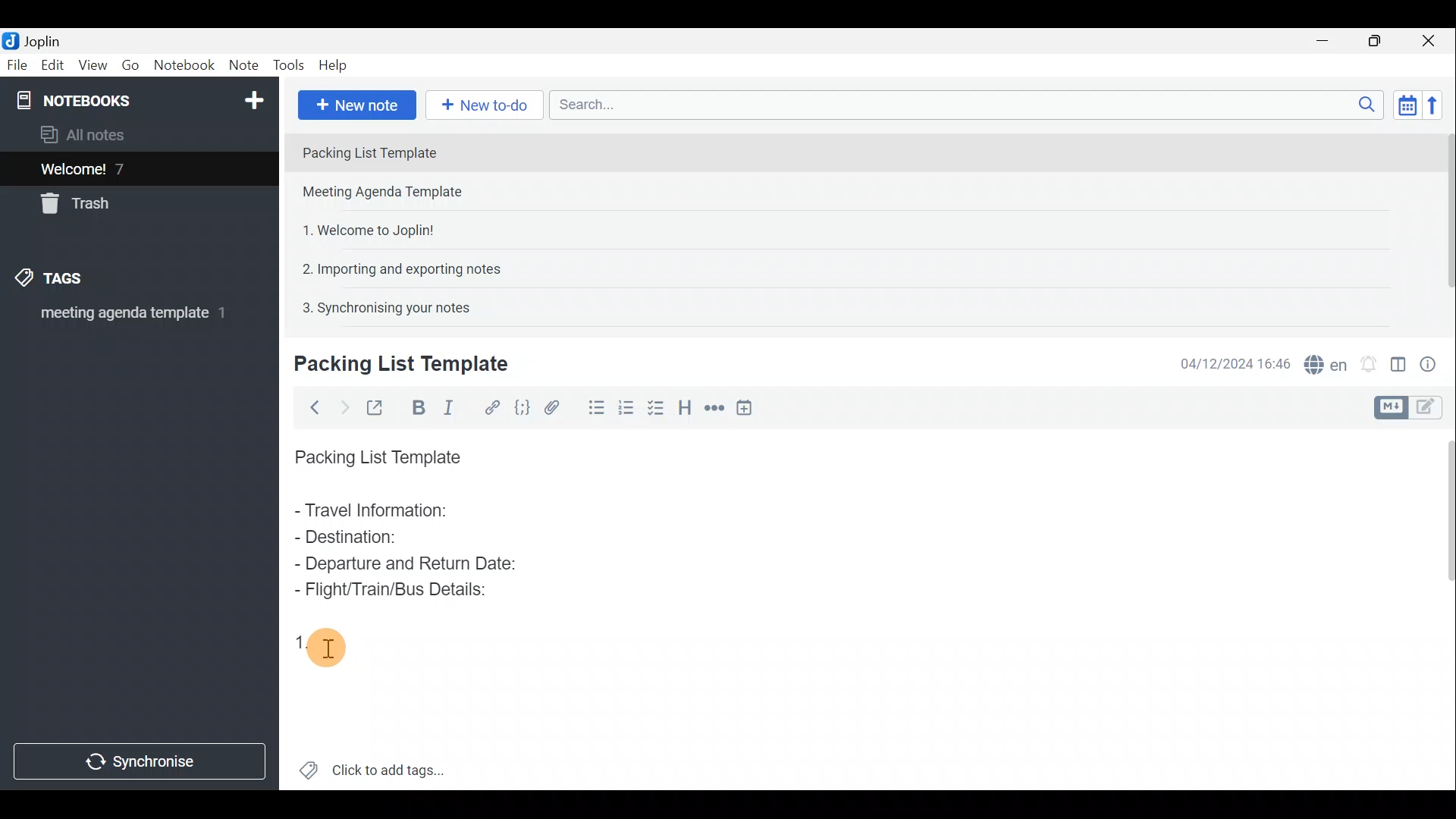 This screenshot has width=1456, height=819. Describe the element at coordinates (94, 65) in the screenshot. I see `View` at that location.